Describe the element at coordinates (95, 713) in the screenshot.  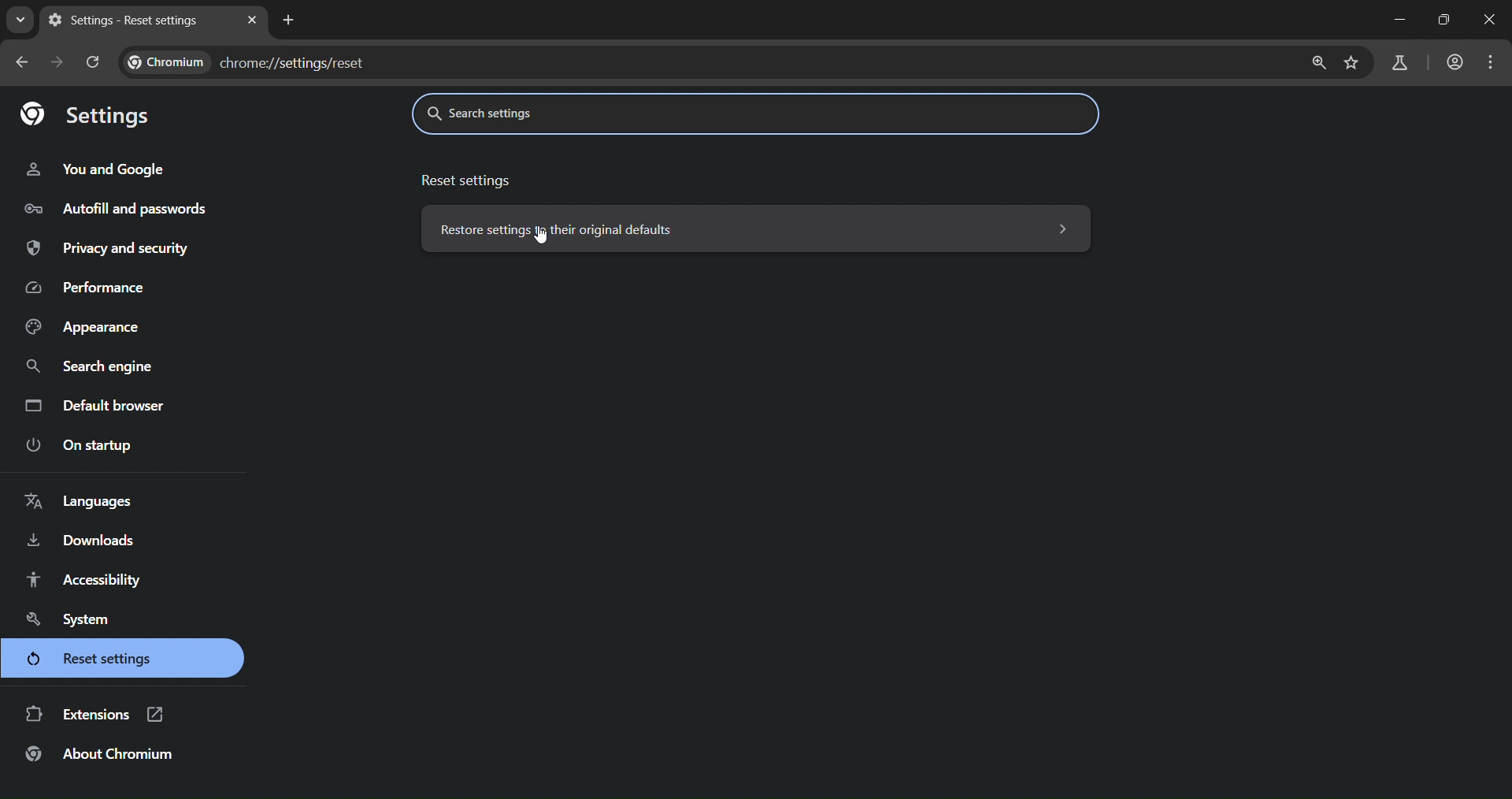
I see `extensions` at that location.